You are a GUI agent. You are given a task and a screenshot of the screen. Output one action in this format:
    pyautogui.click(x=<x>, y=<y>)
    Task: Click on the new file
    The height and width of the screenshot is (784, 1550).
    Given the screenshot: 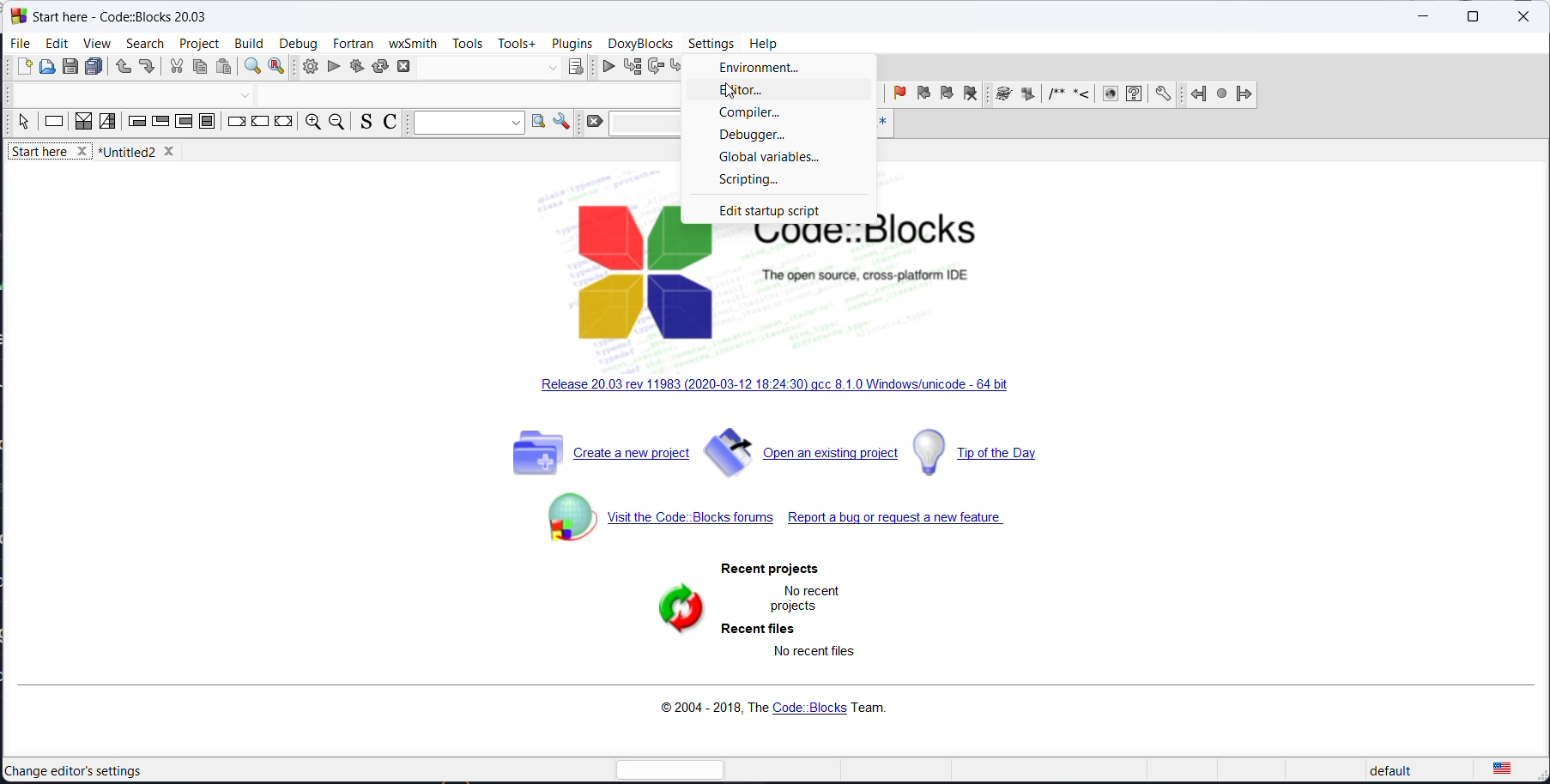 What is the action you would take?
    pyautogui.click(x=25, y=70)
    